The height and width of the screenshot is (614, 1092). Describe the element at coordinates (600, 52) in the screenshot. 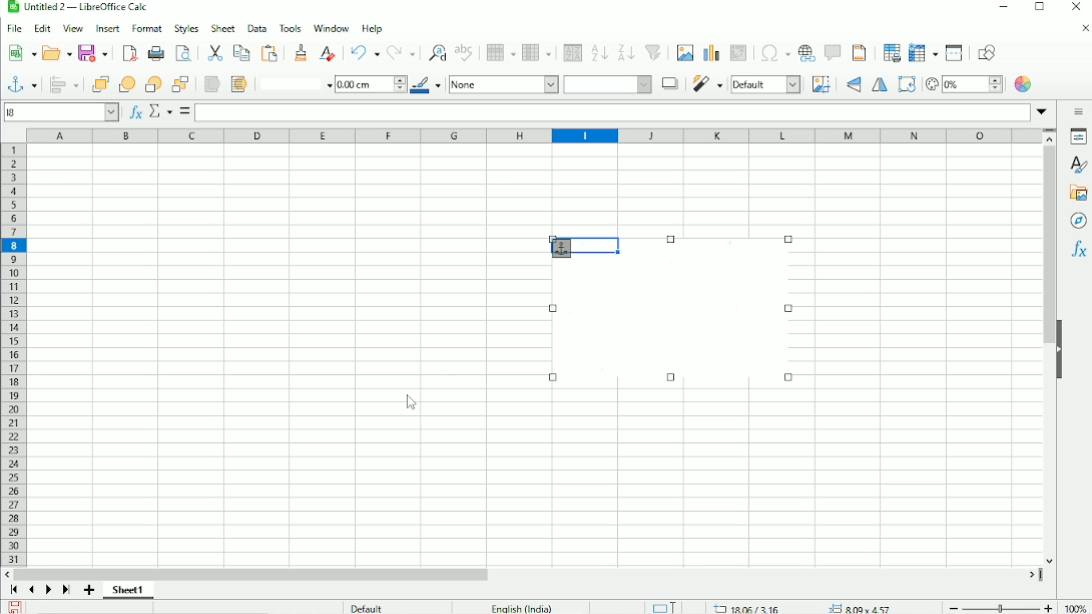

I see `Sort ascending` at that location.